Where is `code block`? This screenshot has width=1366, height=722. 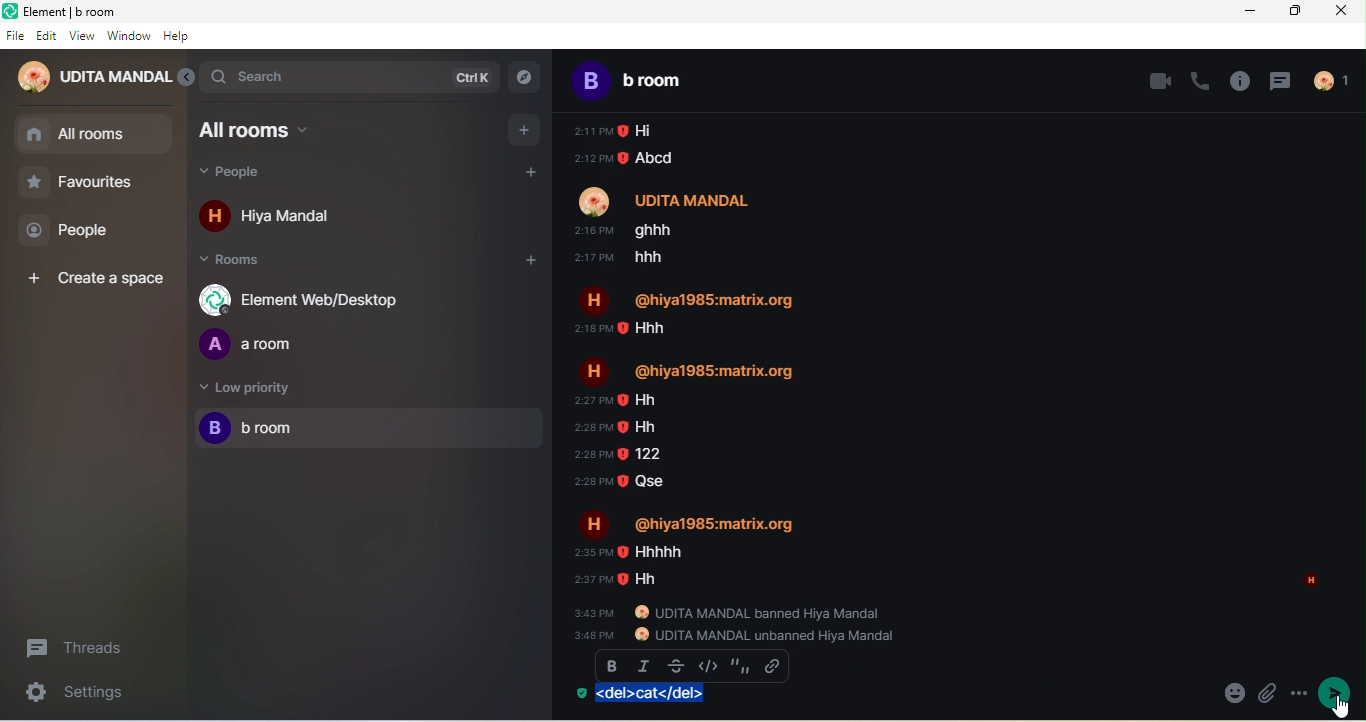
code block is located at coordinates (709, 664).